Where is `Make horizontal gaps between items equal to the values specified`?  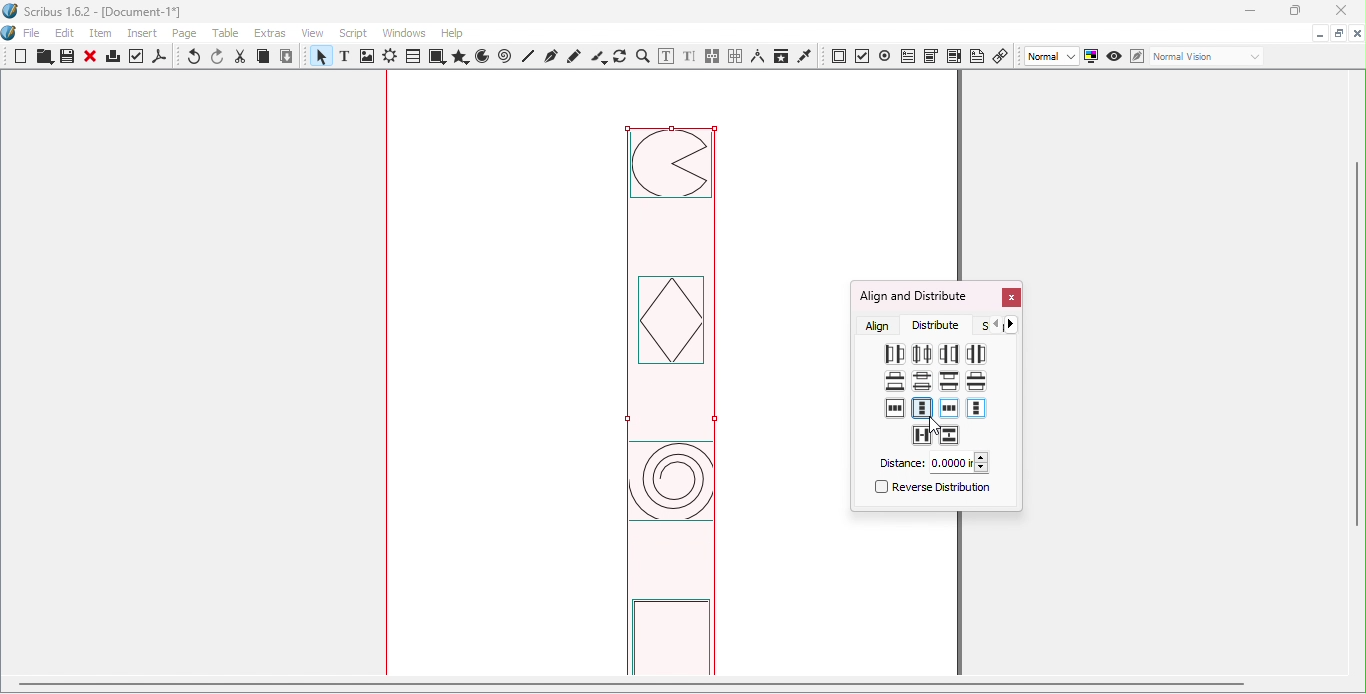 Make horizontal gaps between items equal to the values specified is located at coordinates (921, 435).